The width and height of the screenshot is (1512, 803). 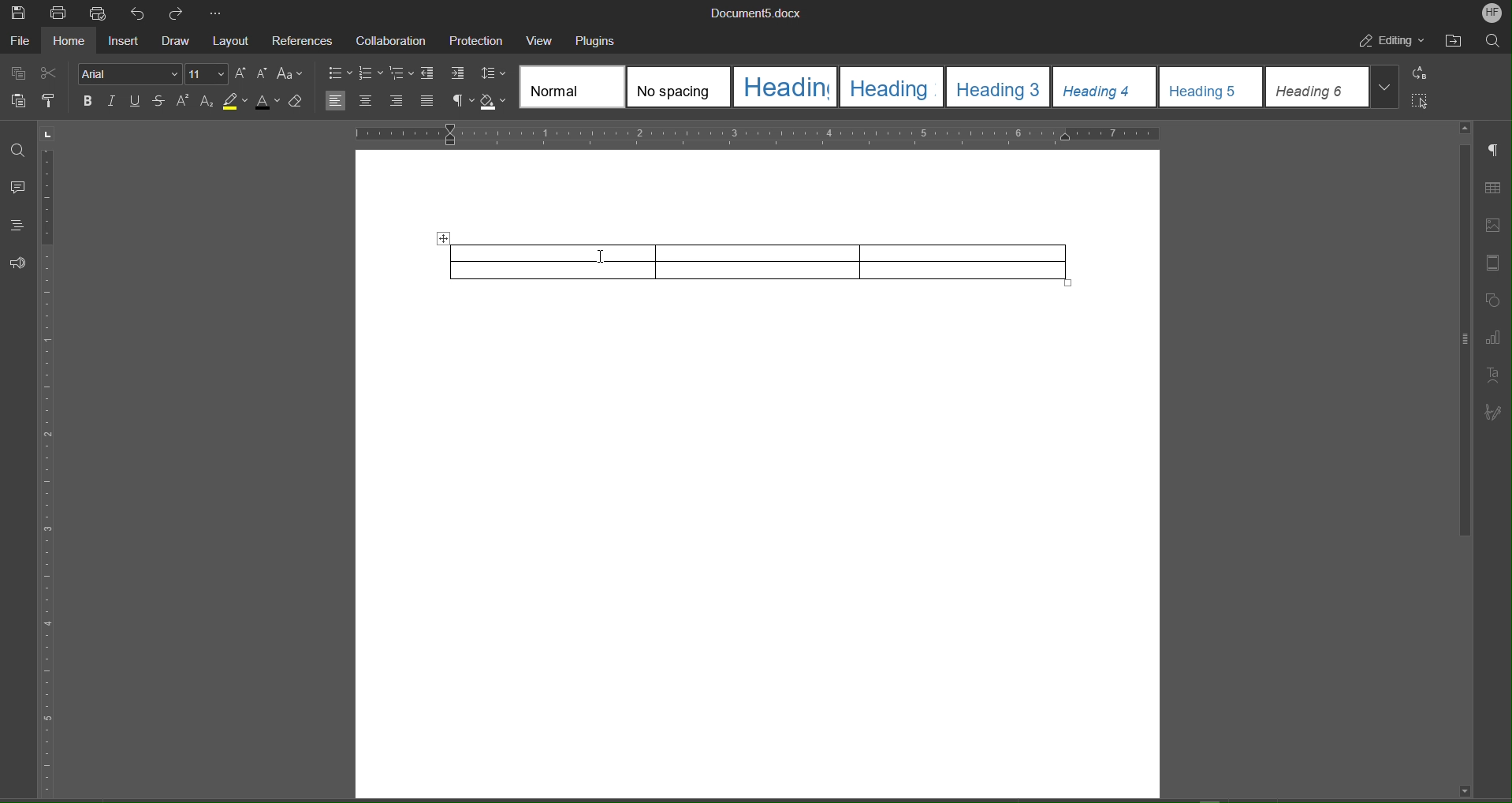 What do you see at coordinates (598, 41) in the screenshot?
I see `Plugins` at bounding box center [598, 41].